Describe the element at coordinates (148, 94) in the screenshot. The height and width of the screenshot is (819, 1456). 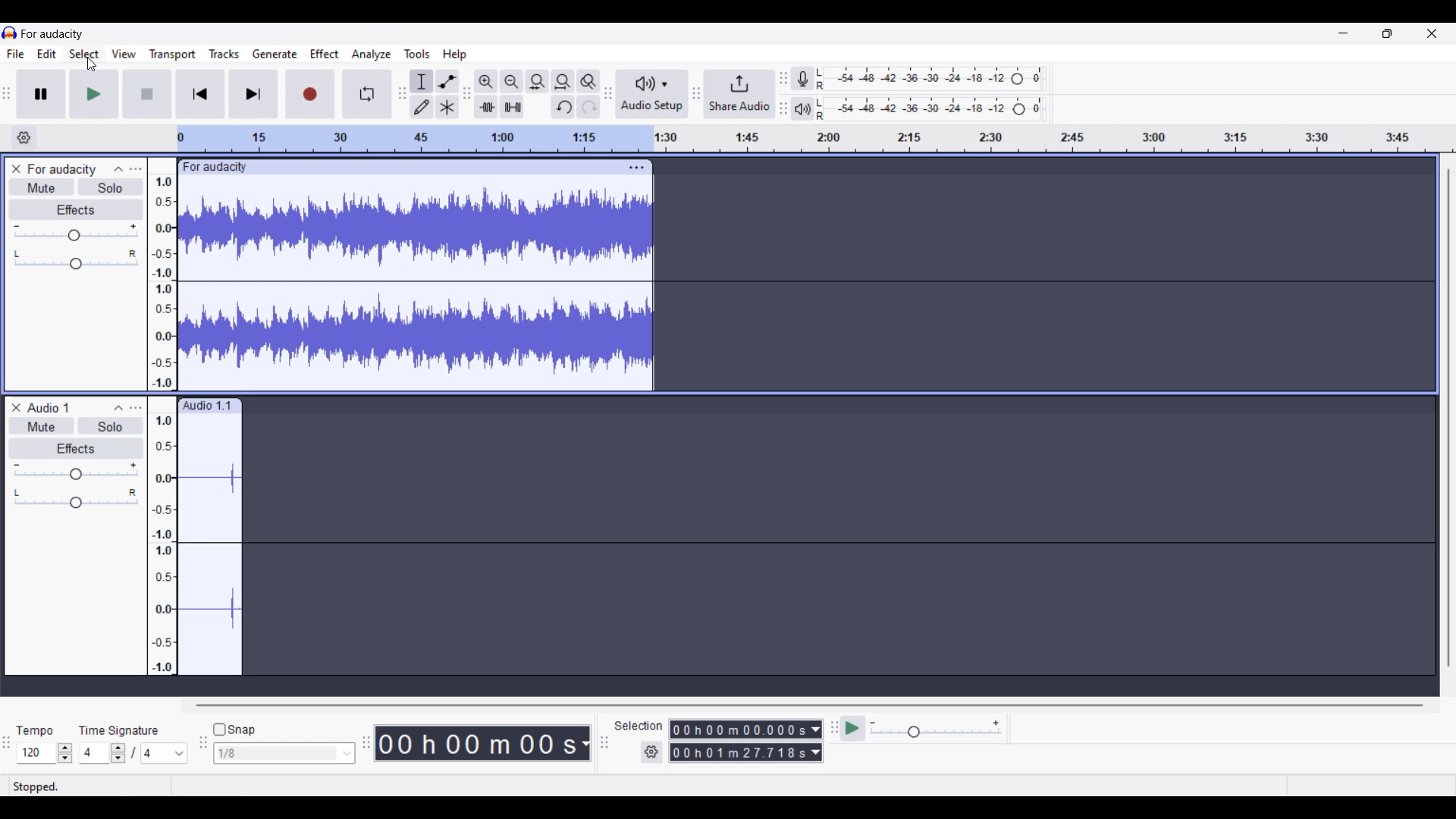
I see `Stop` at that location.